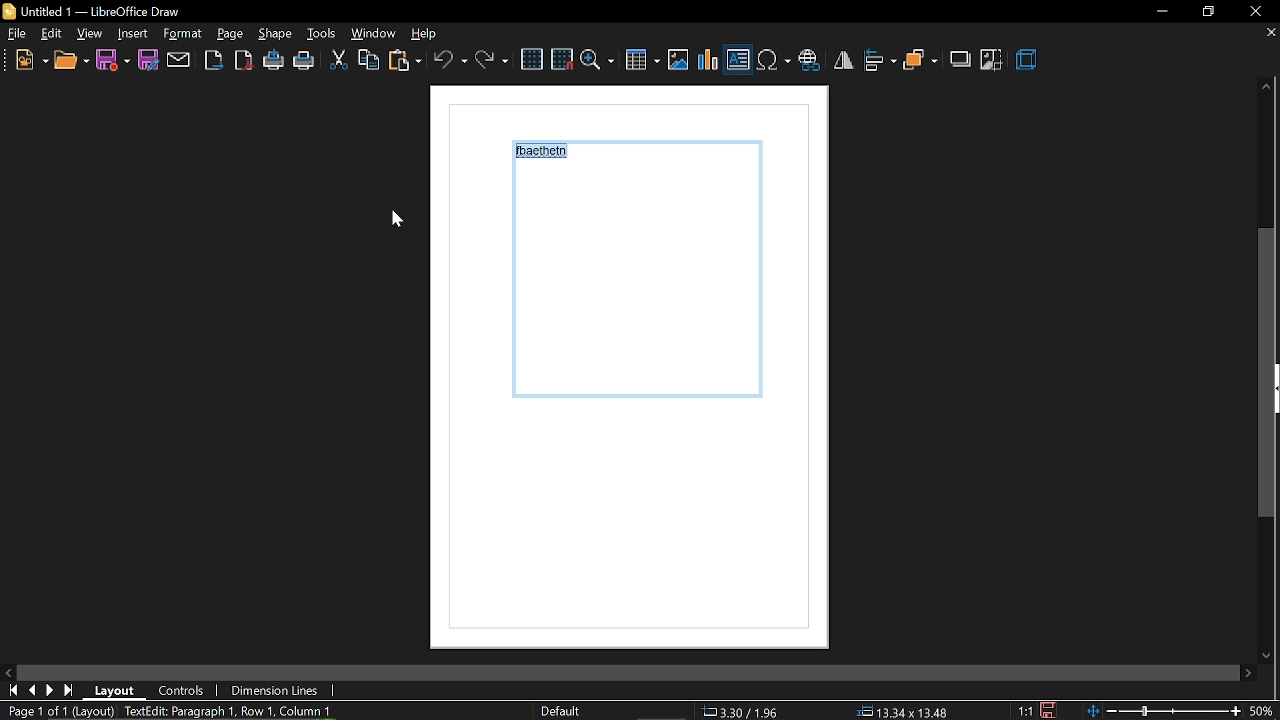 This screenshot has width=1280, height=720. What do you see at coordinates (642, 61) in the screenshot?
I see `Insert table` at bounding box center [642, 61].